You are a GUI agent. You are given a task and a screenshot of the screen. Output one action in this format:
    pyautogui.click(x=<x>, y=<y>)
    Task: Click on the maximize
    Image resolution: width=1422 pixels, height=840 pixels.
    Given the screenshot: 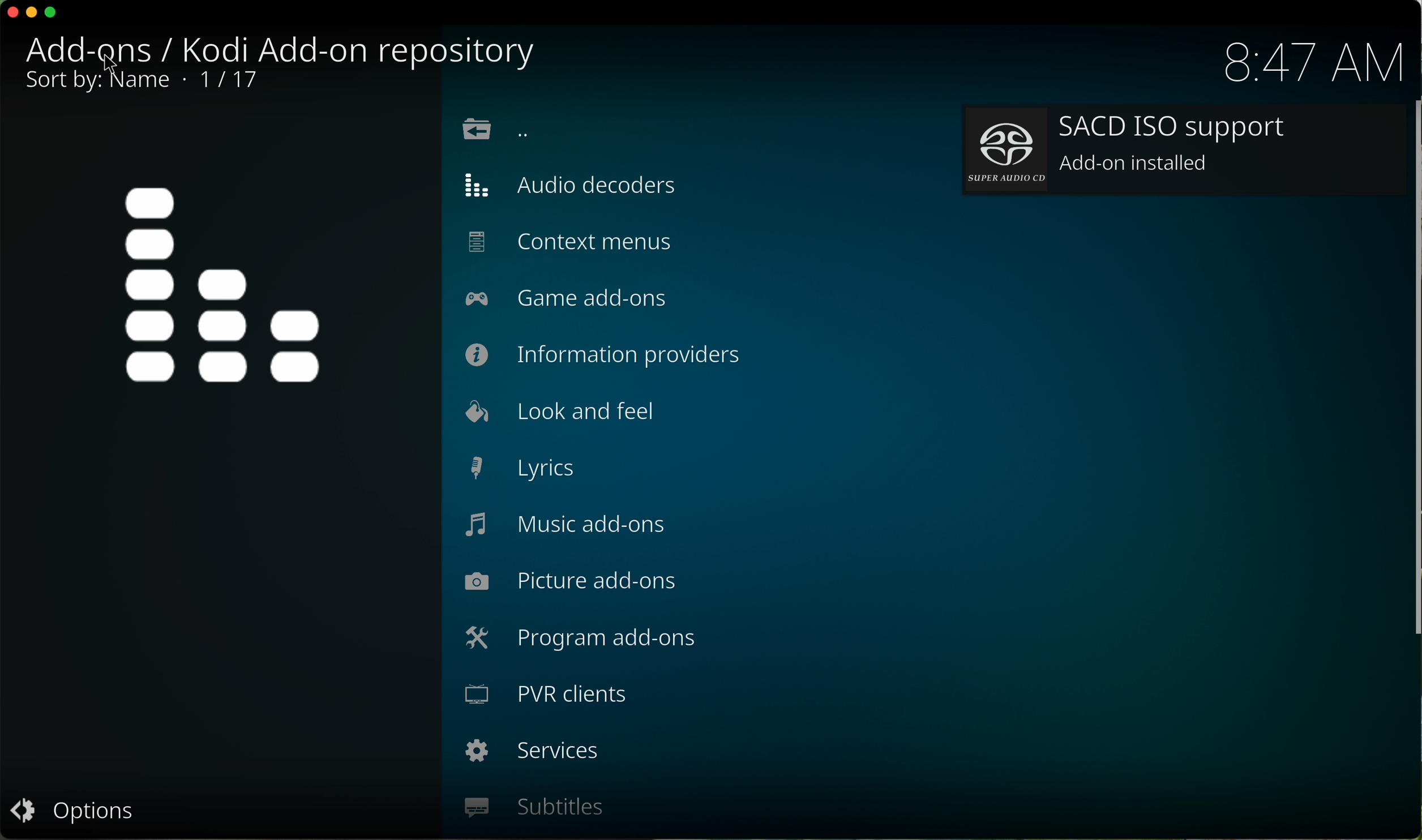 What is the action you would take?
    pyautogui.click(x=55, y=15)
    